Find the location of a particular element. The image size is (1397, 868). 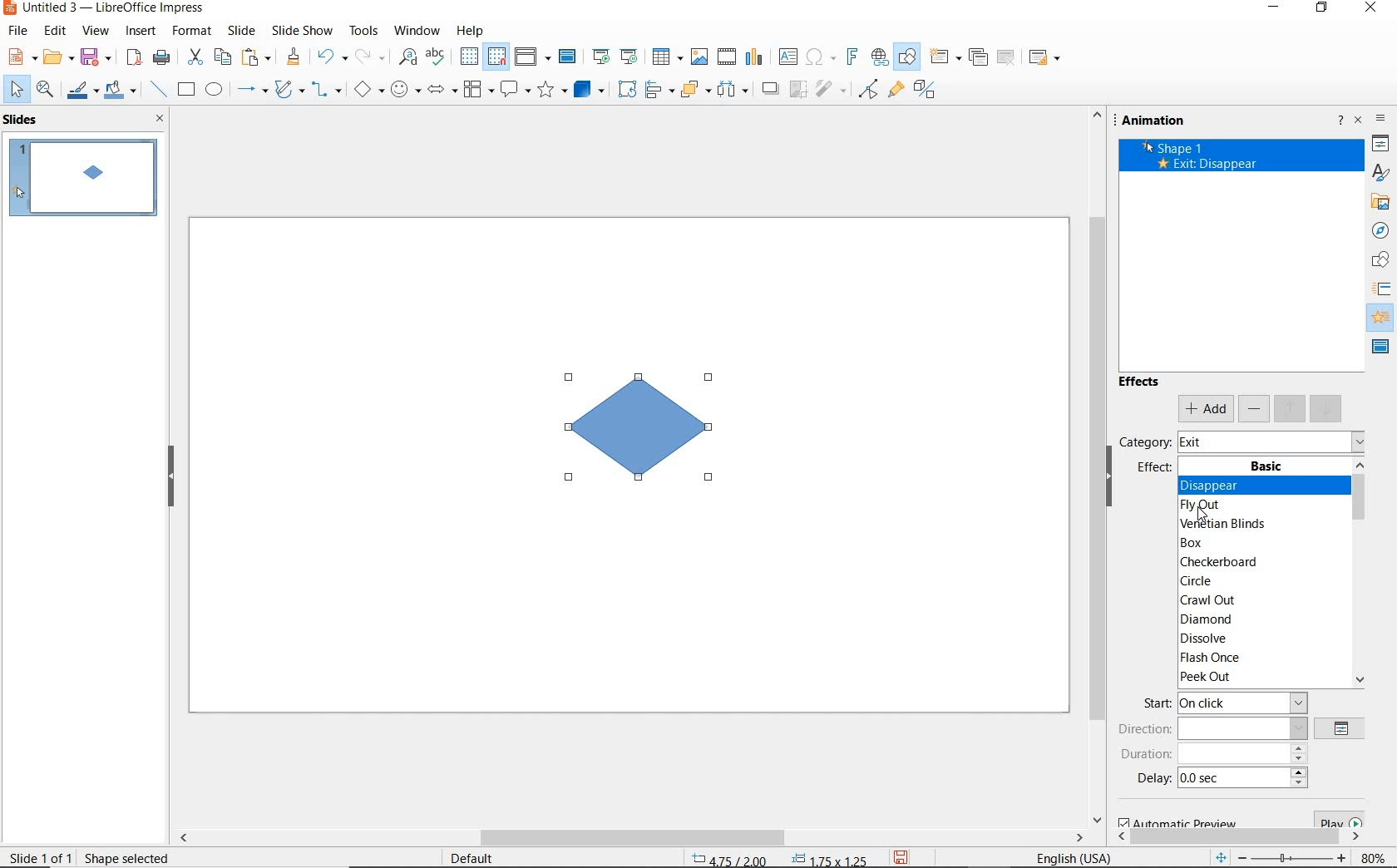

play is located at coordinates (1335, 818).